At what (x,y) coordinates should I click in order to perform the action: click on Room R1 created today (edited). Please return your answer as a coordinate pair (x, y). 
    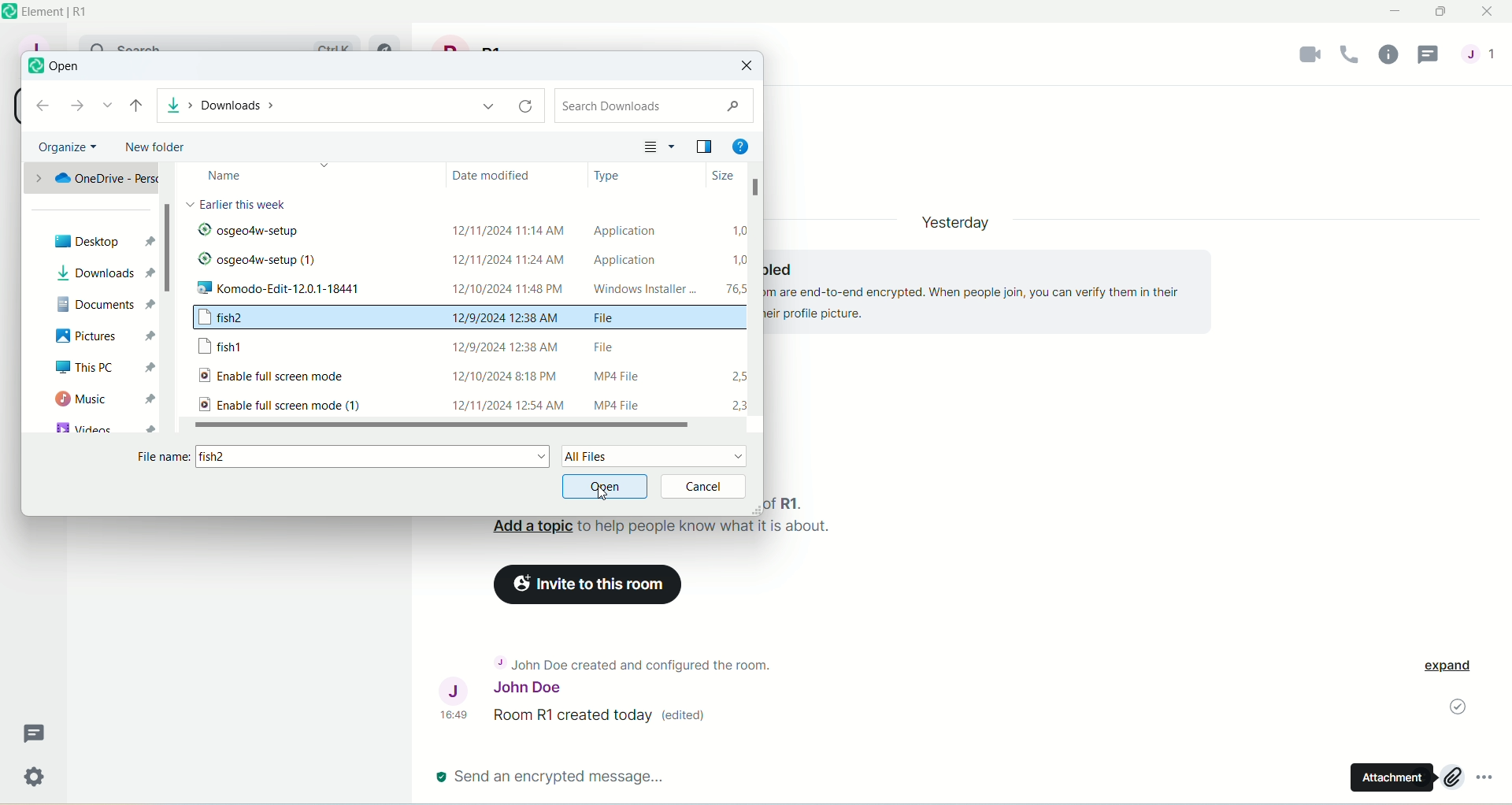
    Looking at the image, I should click on (606, 718).